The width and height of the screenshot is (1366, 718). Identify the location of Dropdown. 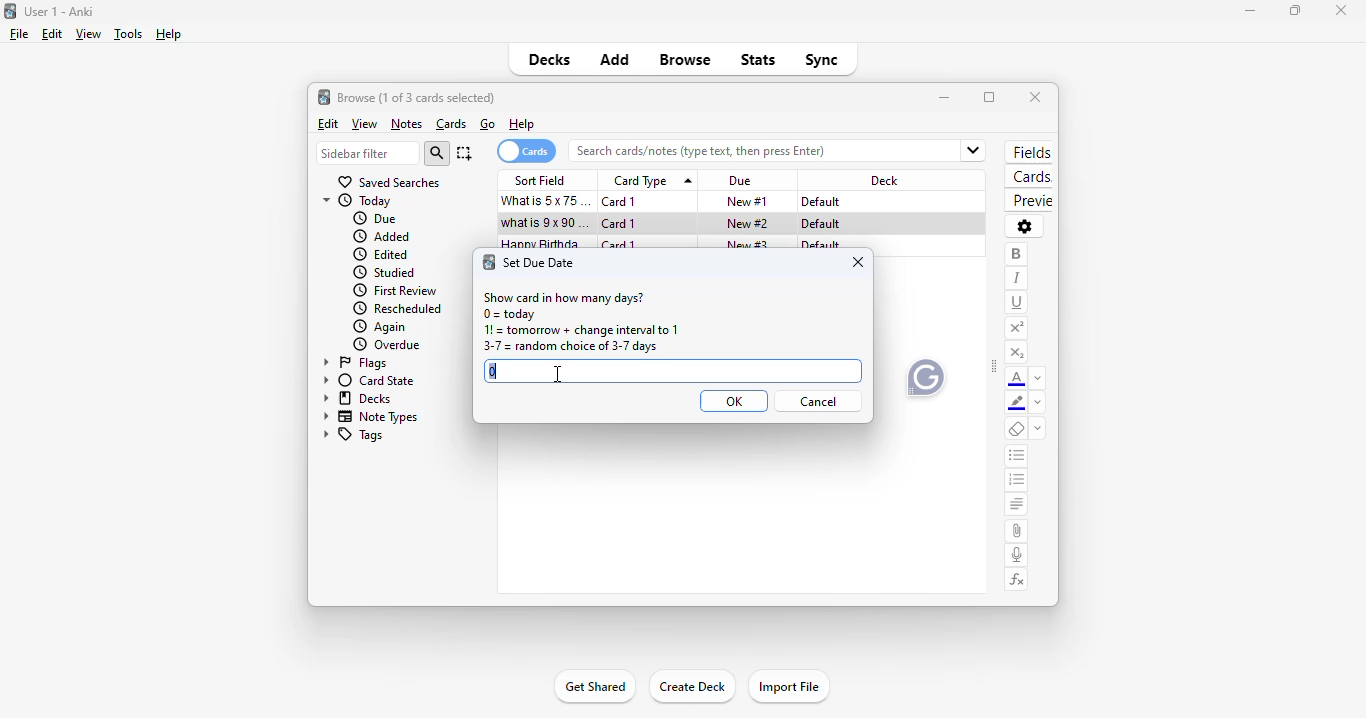
(975, 150).